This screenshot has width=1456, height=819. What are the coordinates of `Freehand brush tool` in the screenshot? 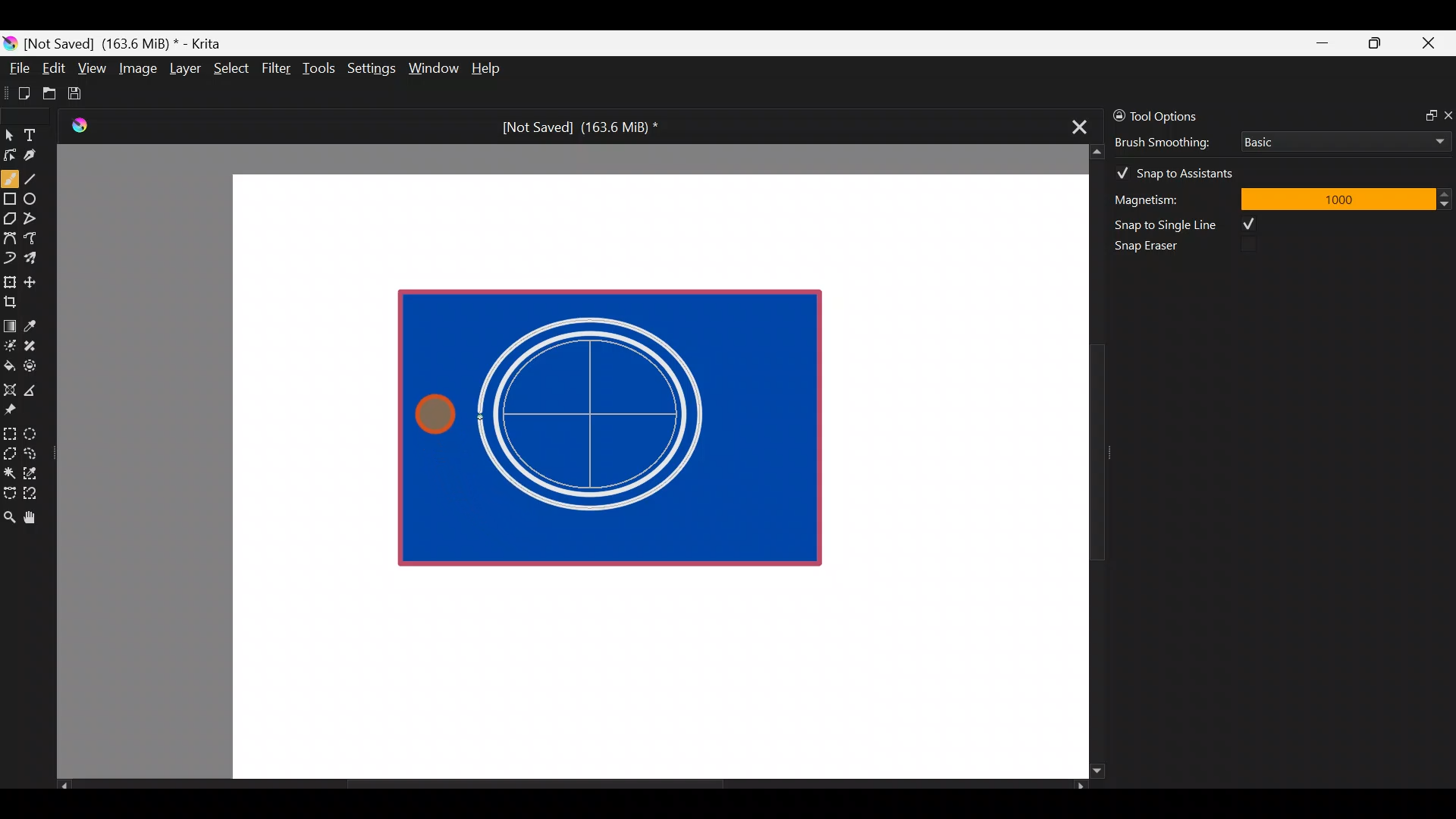 It's located at (10, 173).